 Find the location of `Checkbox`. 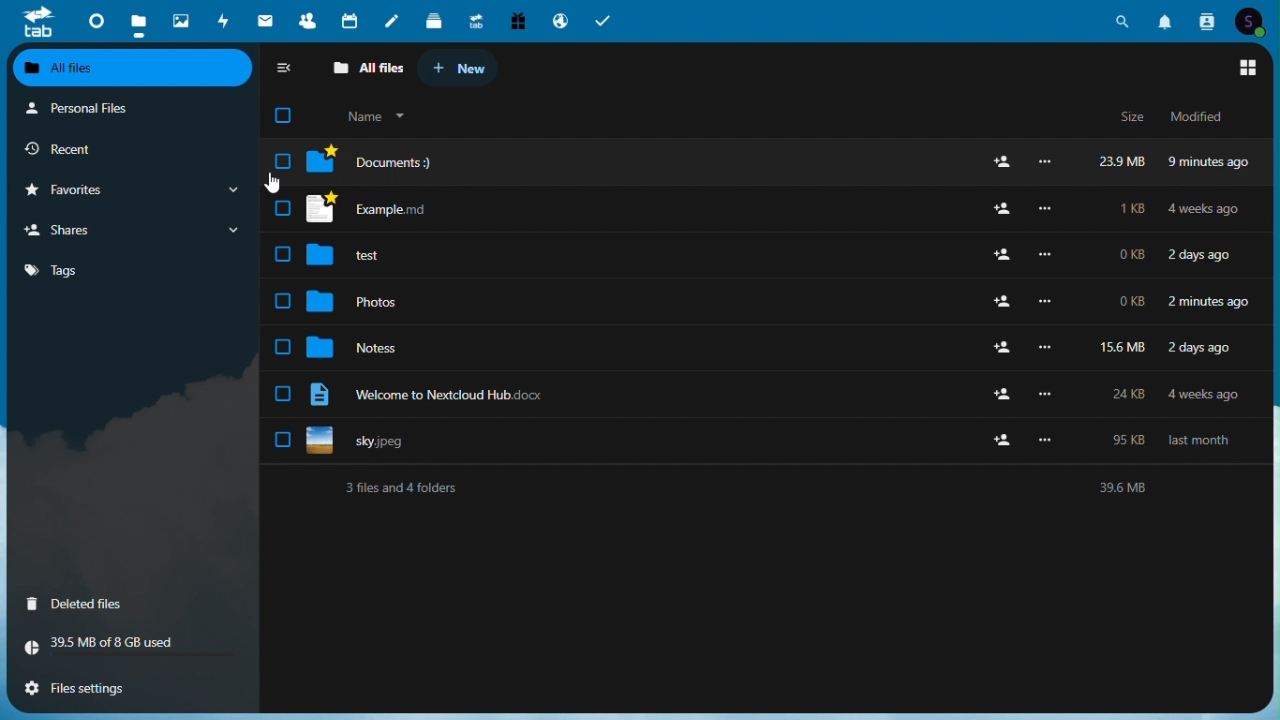

Checkbox is located at coordinates (276, 114).